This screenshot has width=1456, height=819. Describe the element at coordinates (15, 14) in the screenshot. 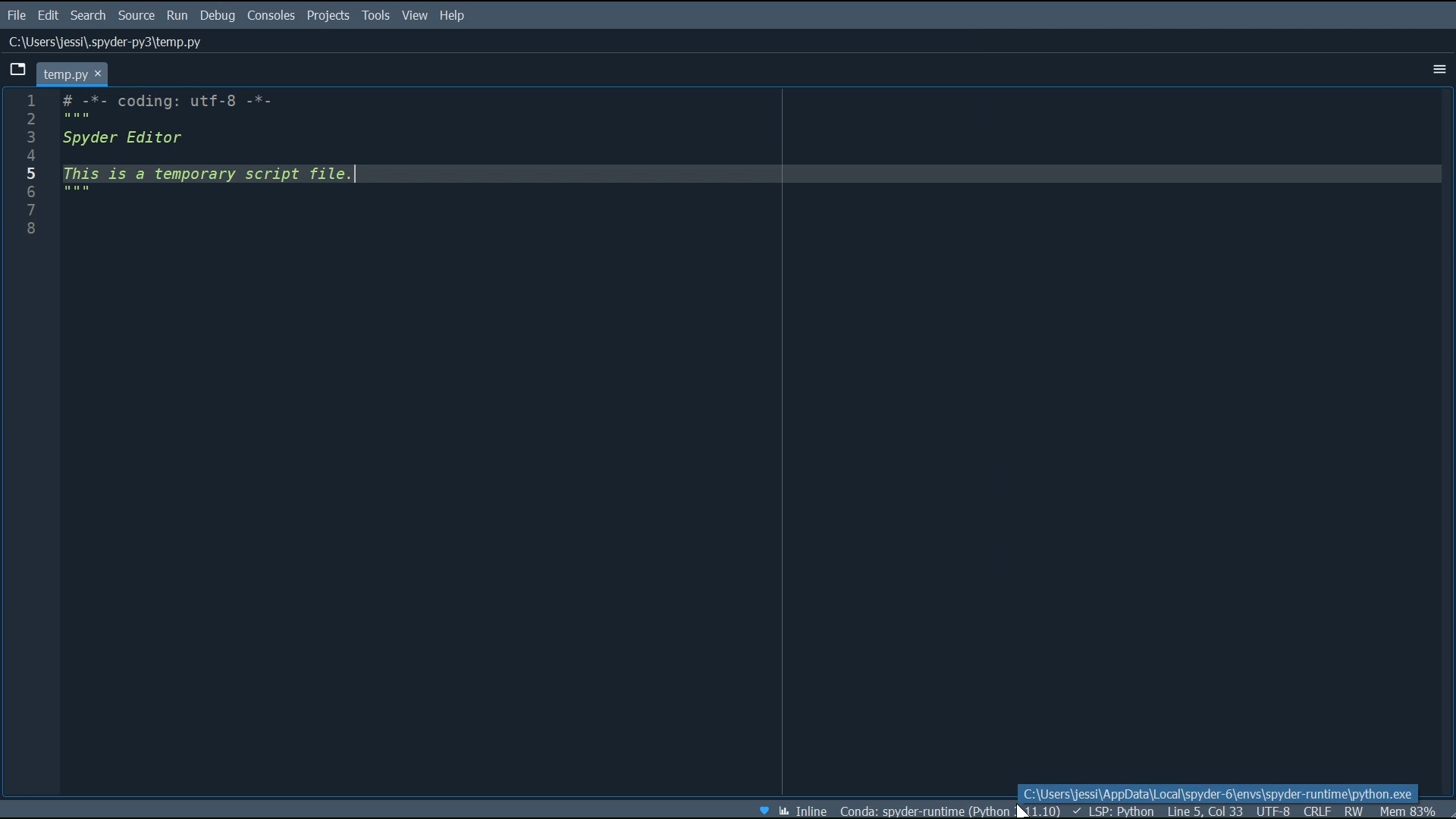

I see `File` at that location.